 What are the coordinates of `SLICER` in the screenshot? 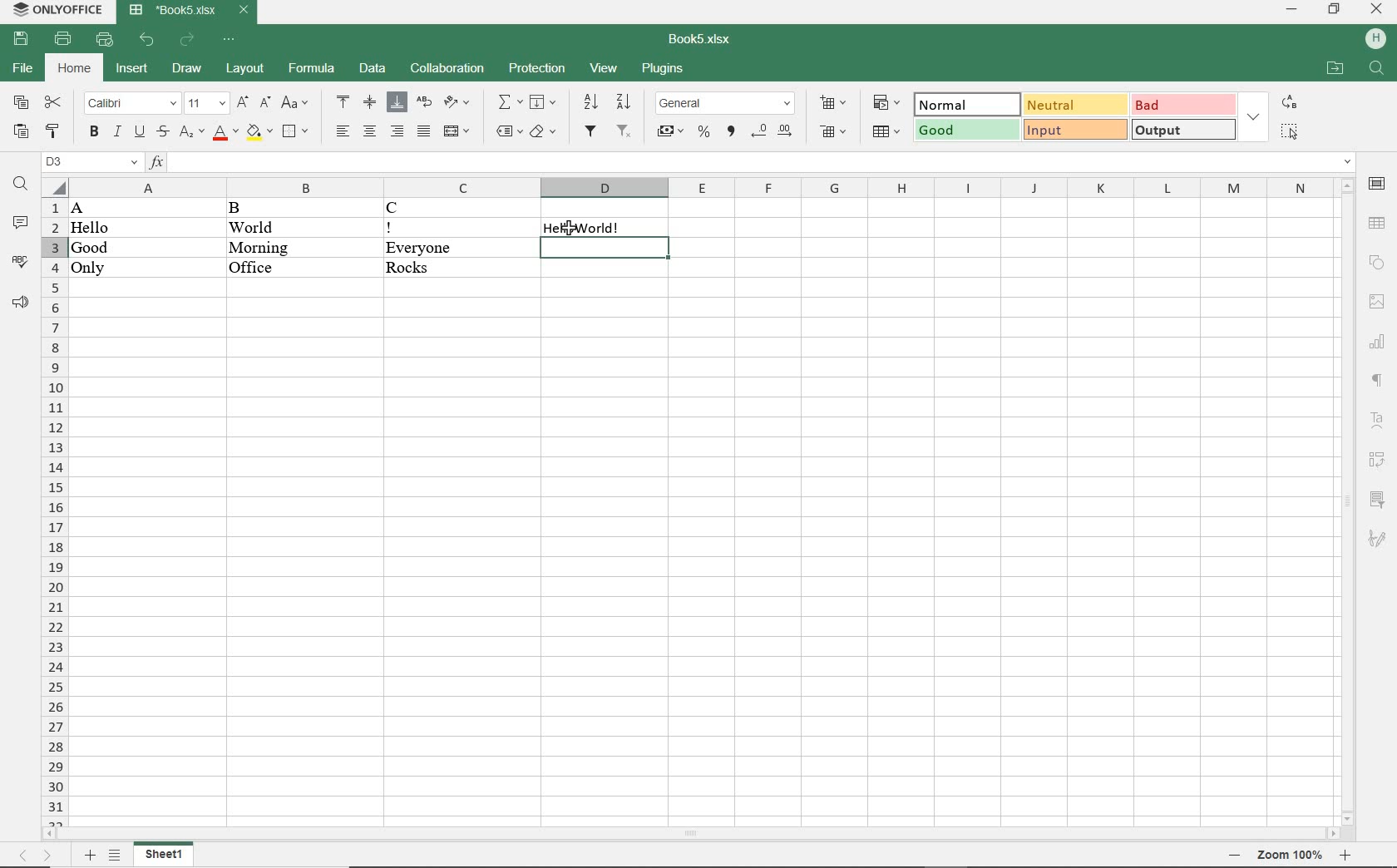 It's located at (1377, 499).